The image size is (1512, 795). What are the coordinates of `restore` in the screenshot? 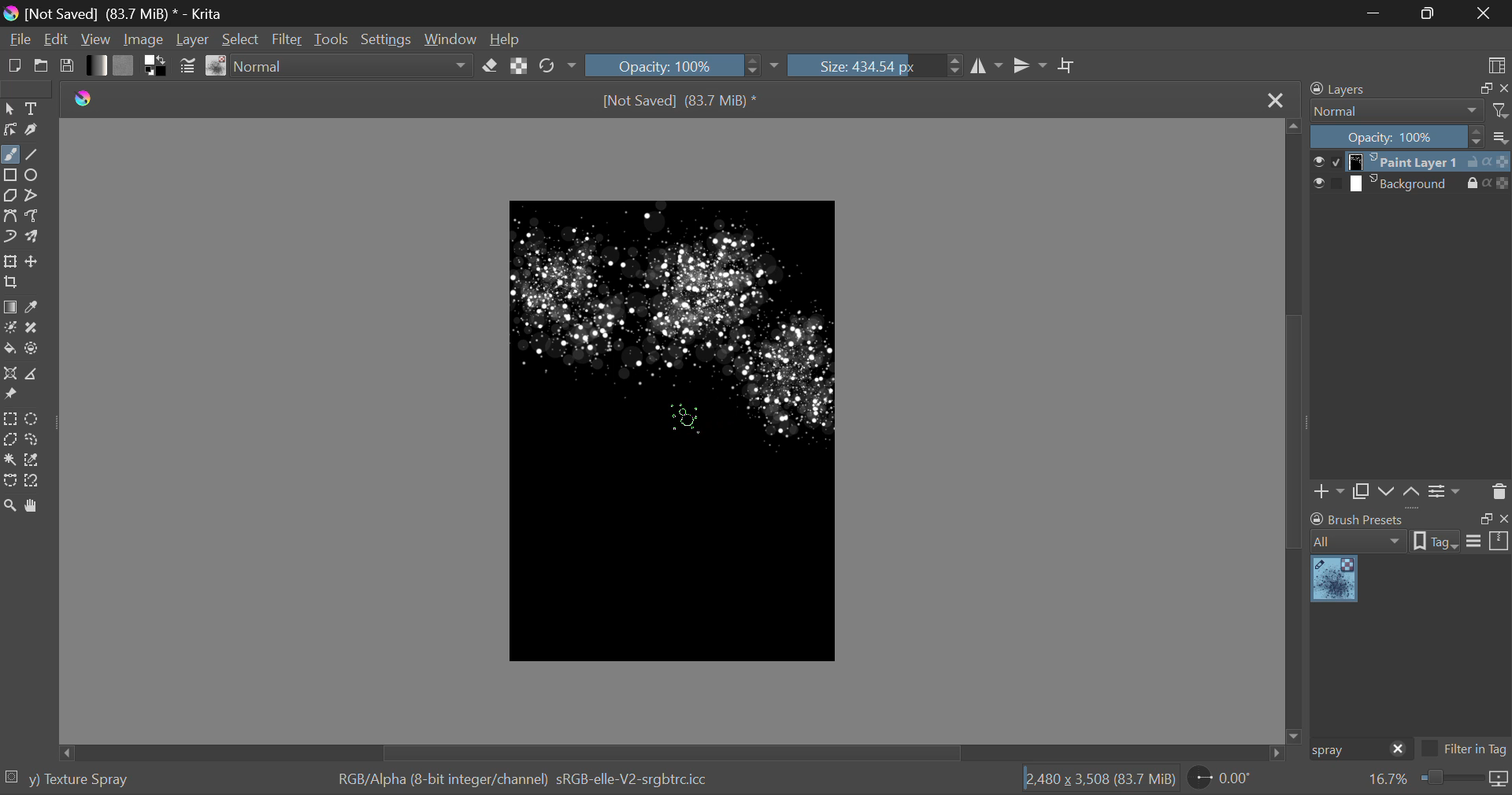 It's located at (1483, 89).